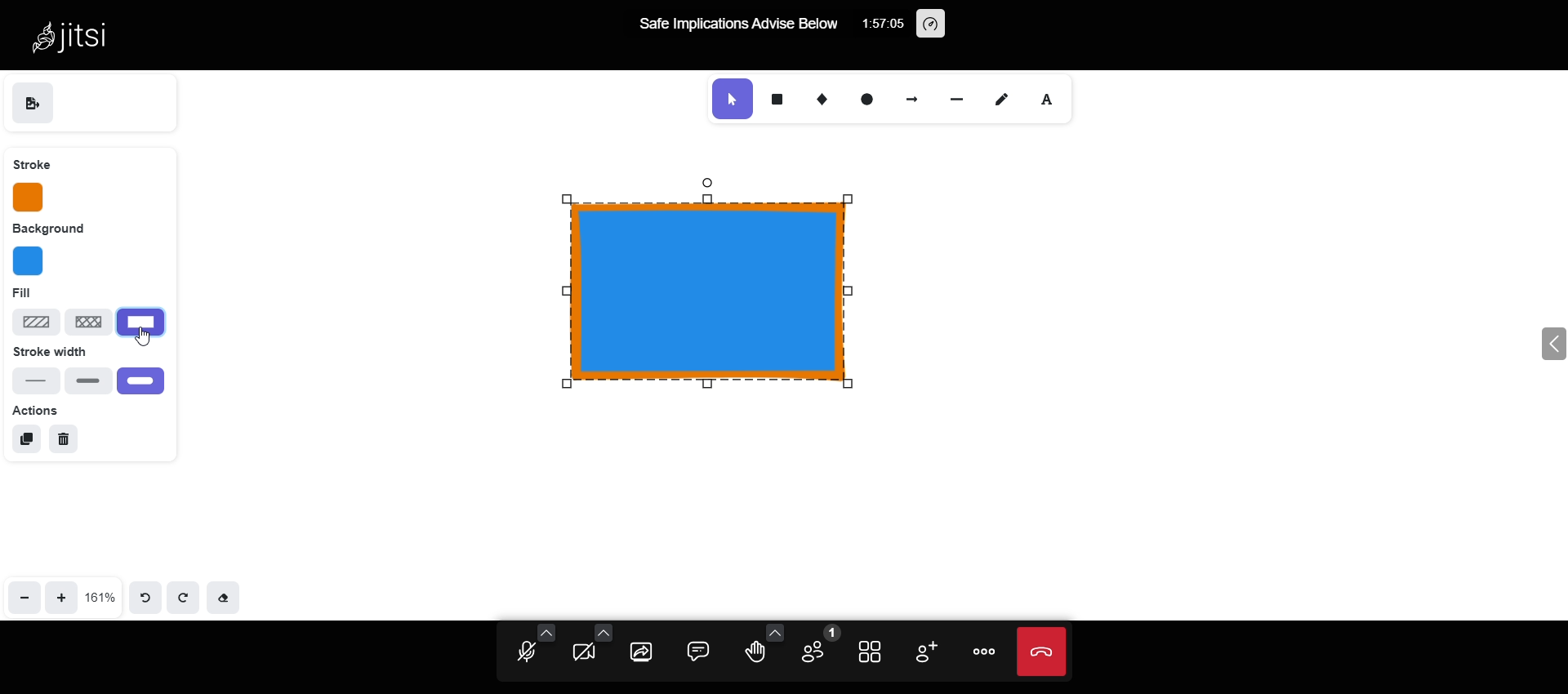 Image resolution: width=1568 pixels, height=694 pixels. I want to click on zoom in, so click(57, 598).